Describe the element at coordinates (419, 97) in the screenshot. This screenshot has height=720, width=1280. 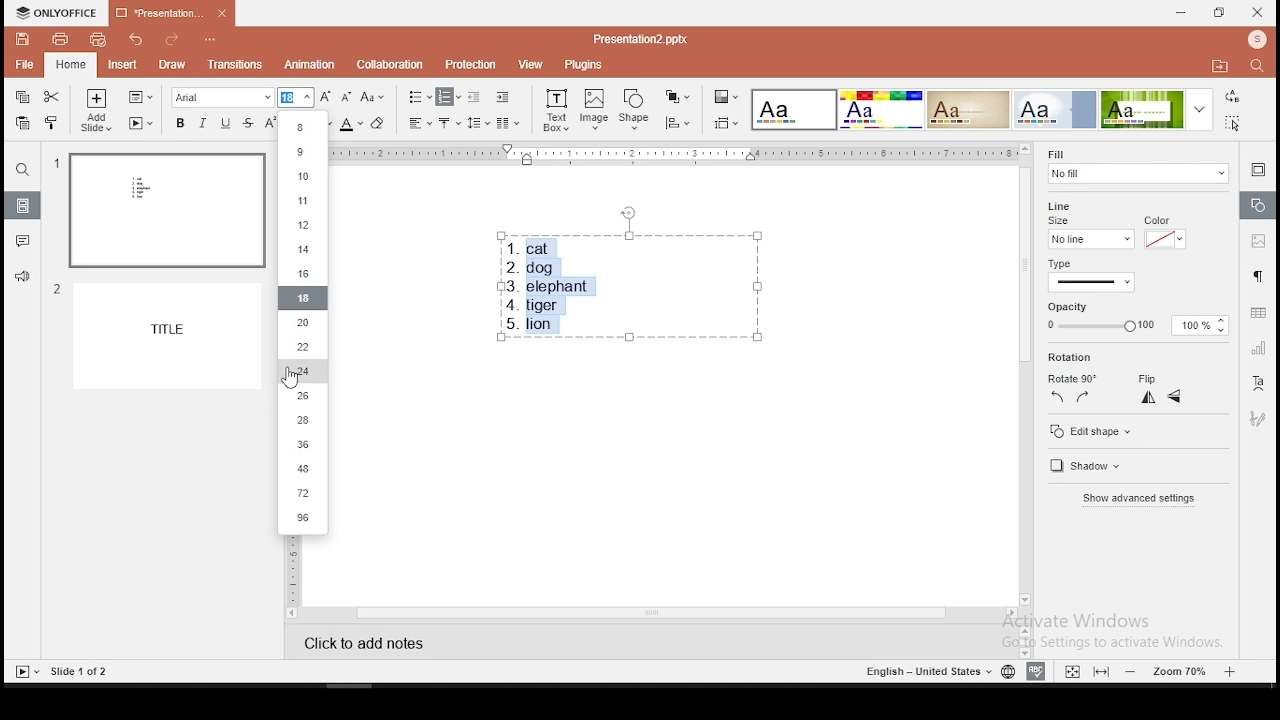
I see `bullets` at that location.